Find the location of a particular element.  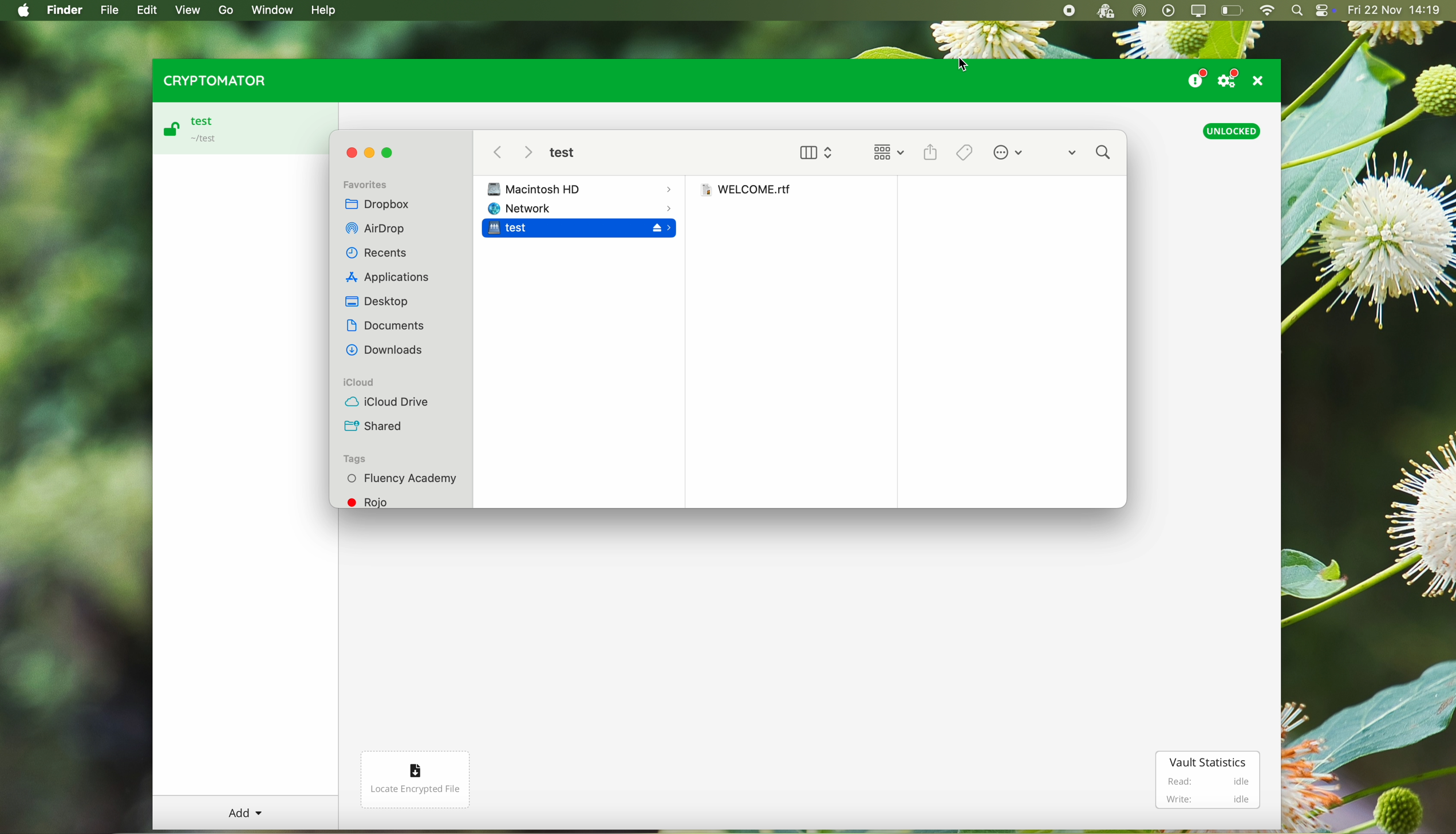

search is located at coordinates (1090, 152).